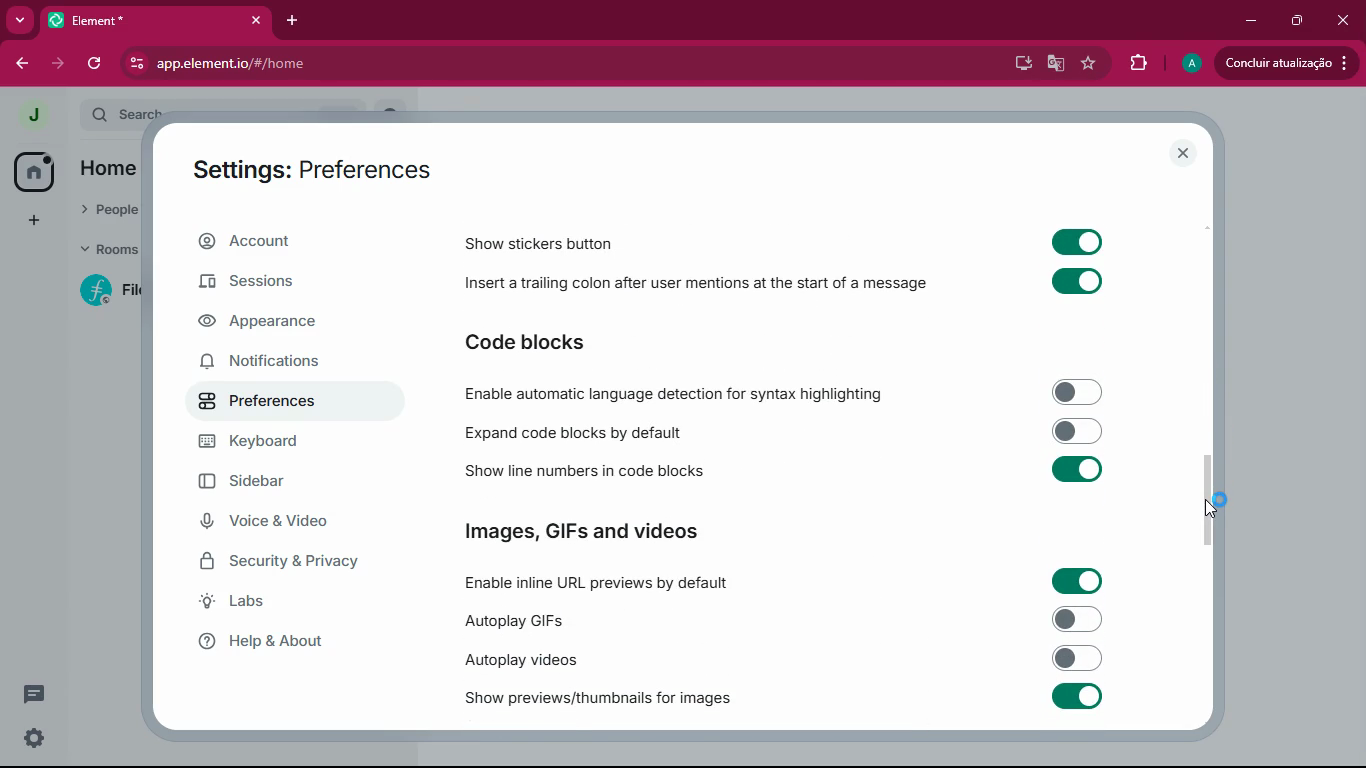  I want to click on Show previews/thumbnails for images, so click(593, 699).